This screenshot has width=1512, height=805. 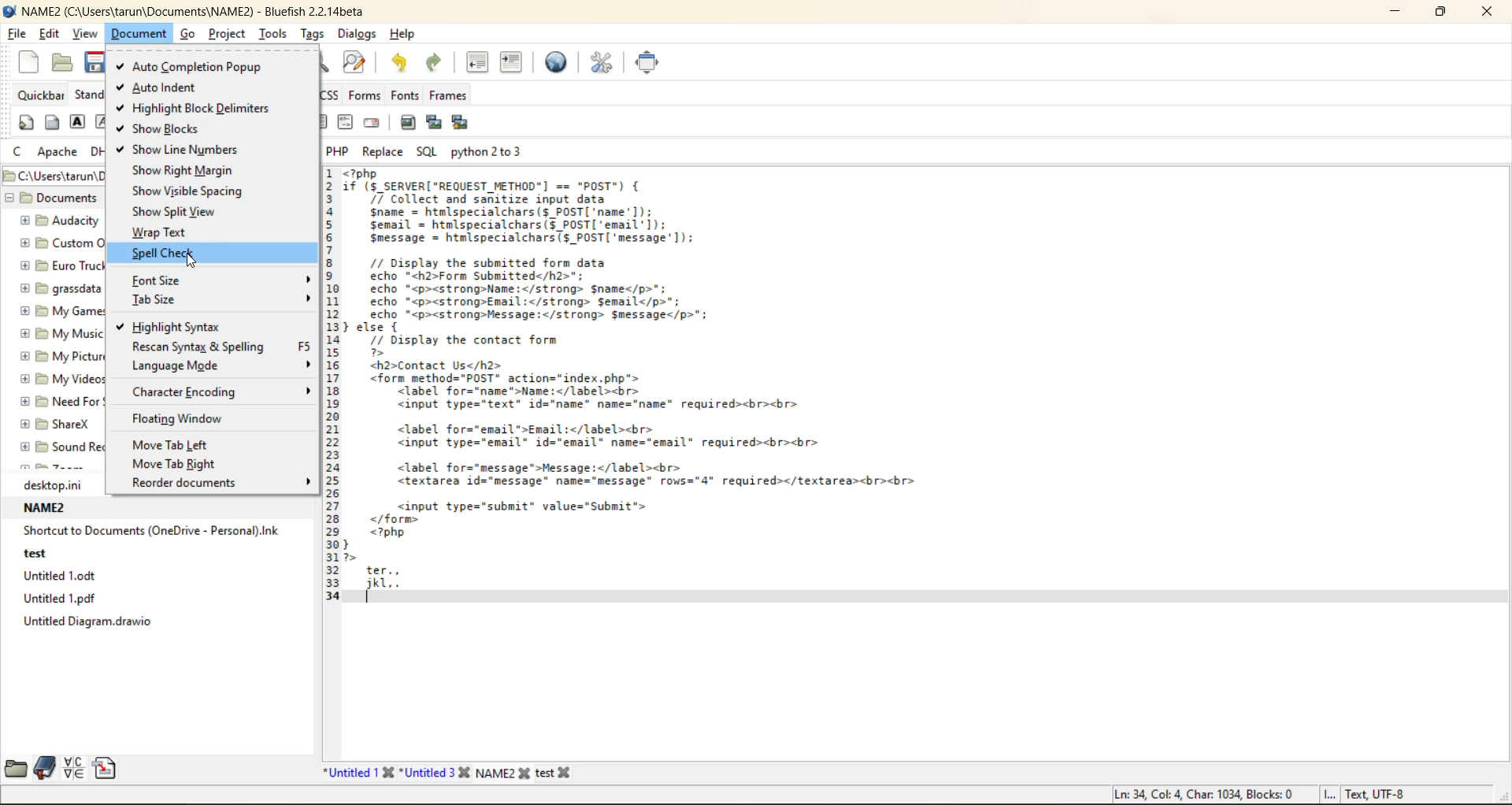 What do you see at coordinates (141, 35) in the screenshot?
I see `document` at bounding box center [141, 35].